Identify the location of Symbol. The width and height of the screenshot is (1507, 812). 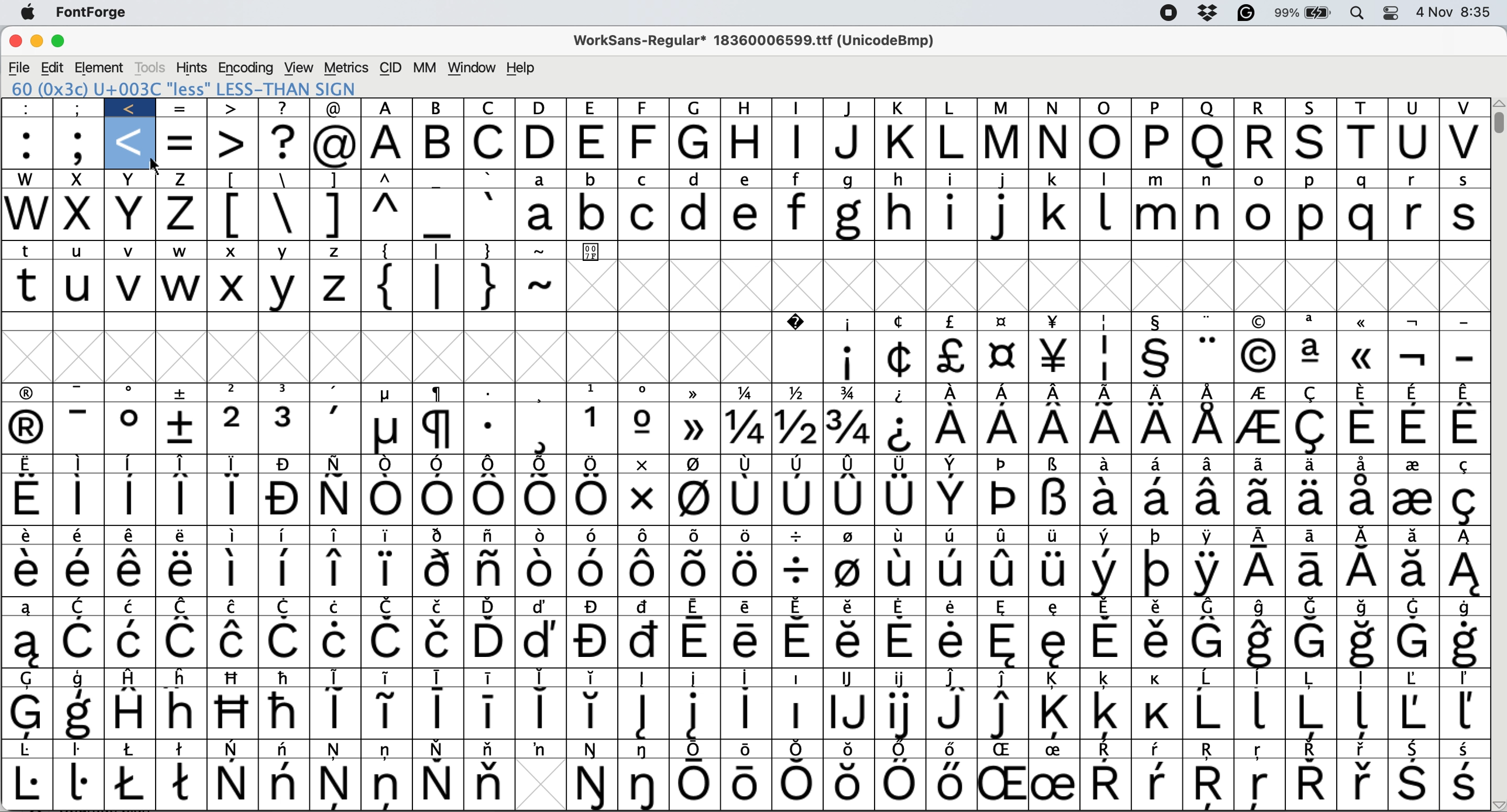
(1158, 748).